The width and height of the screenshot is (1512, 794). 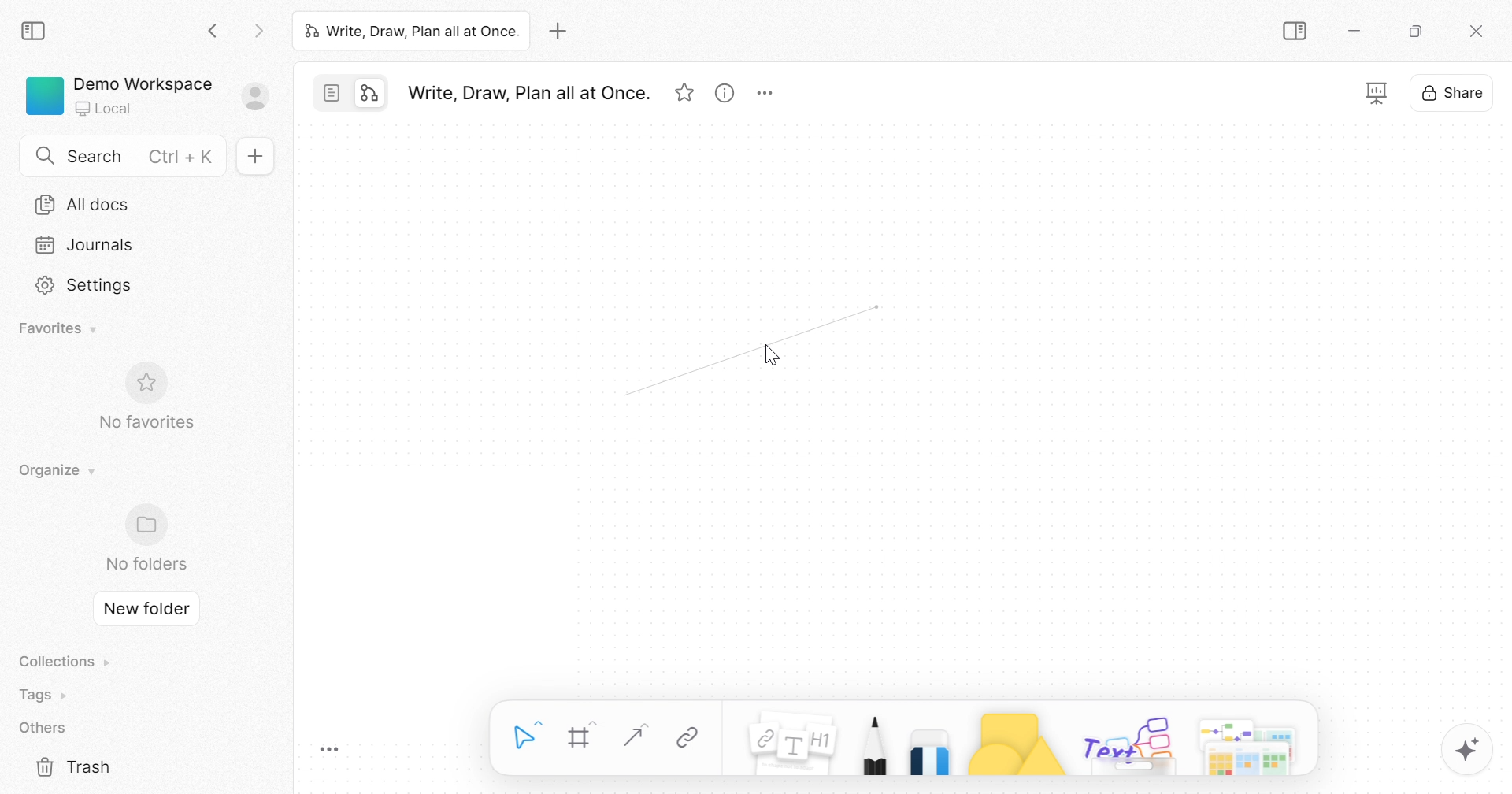 What do you see at coordinates (776, 360) in the screenshot?
I see `cursor` at bounding box center [776, 360].